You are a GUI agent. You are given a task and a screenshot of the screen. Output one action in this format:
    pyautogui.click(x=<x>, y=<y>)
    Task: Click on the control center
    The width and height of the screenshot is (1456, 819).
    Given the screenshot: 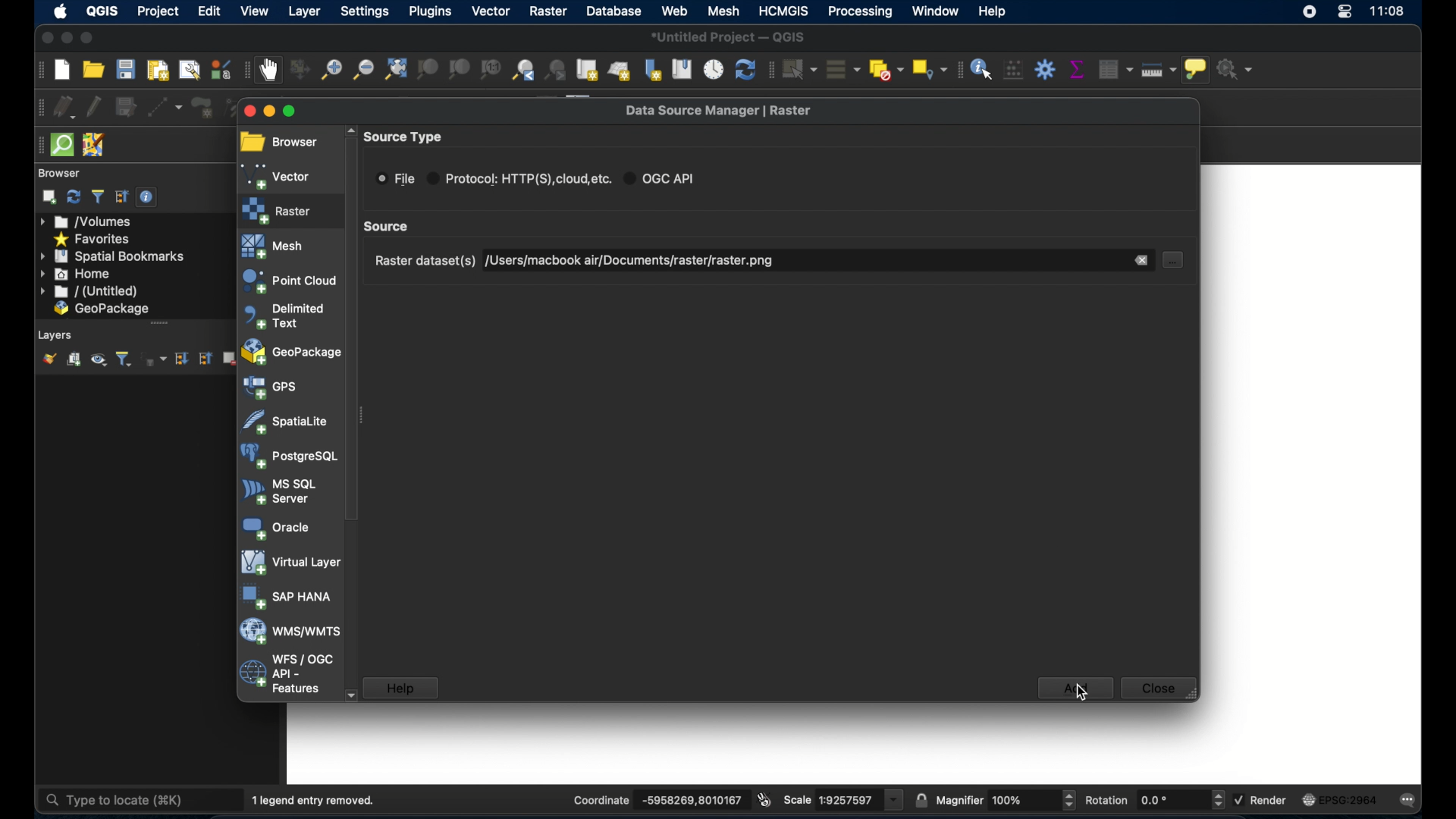 What is the action you would take?
    pyautogui.click(x=1345, y=15)
    